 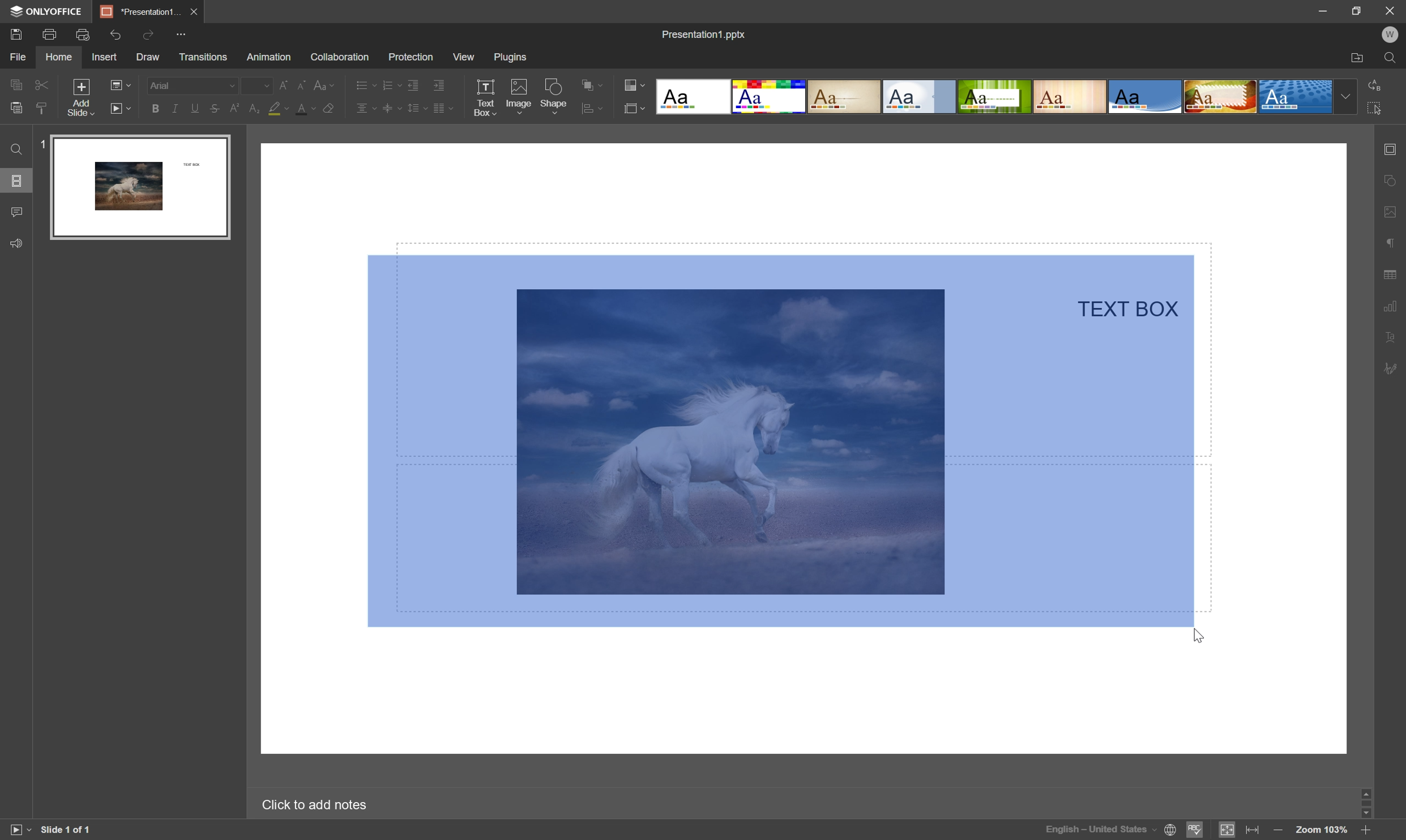 I want to click on decrement font size, so click(x=301, y=84).